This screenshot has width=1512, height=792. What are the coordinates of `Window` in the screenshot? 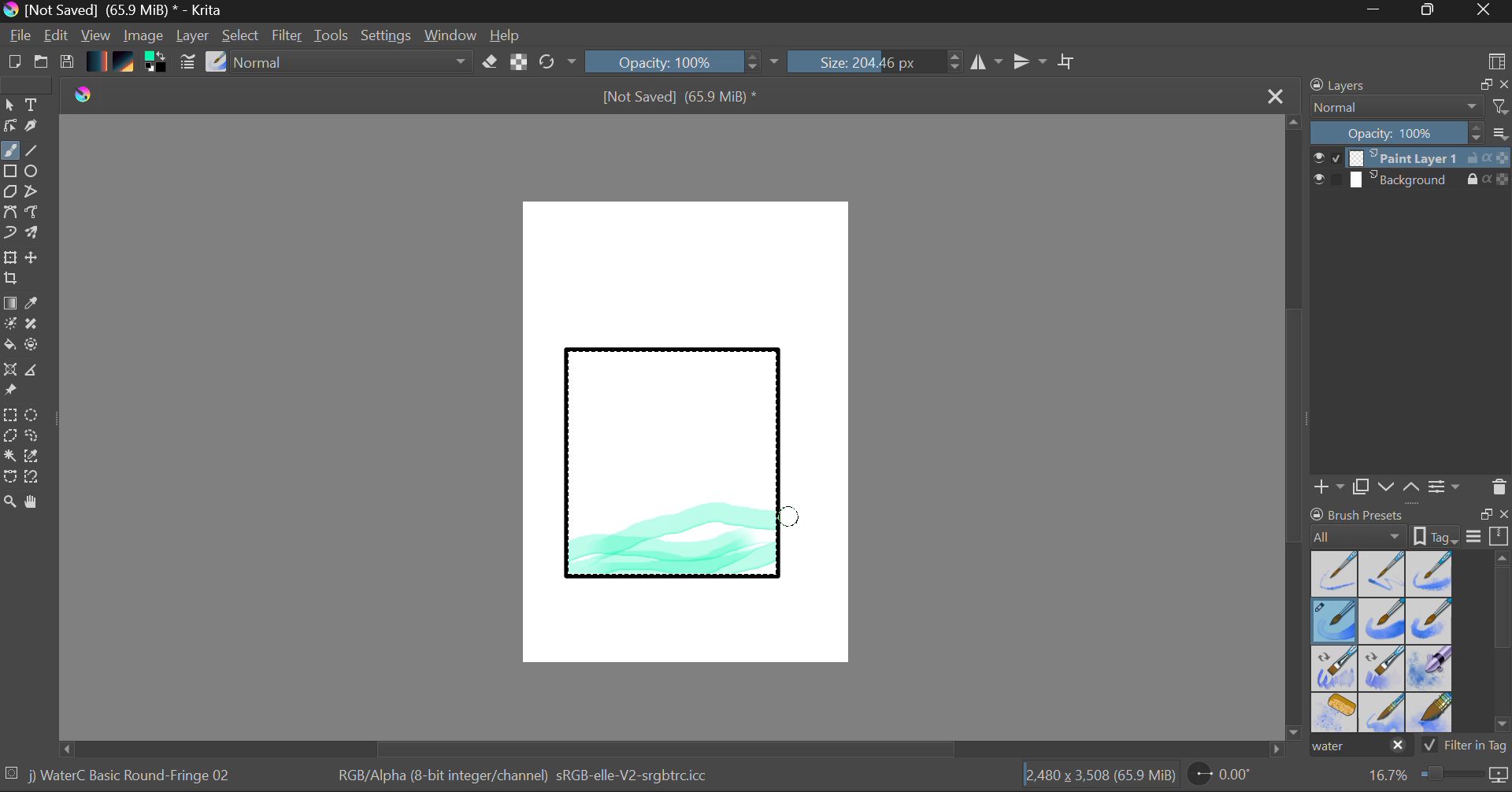 It's located at (453, 35).